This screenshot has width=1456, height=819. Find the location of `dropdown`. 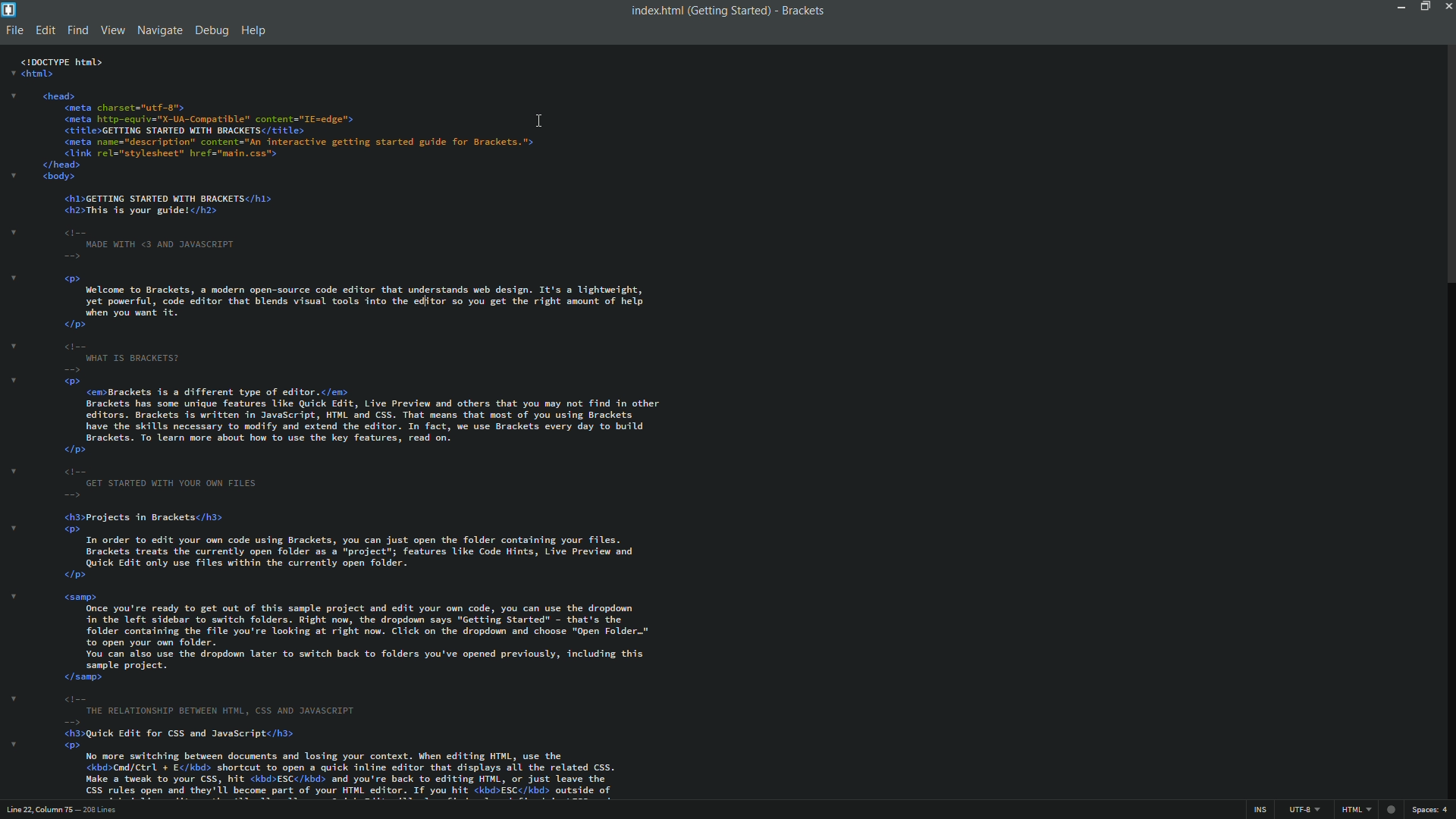

dropdown is located at coordinates (14, 528).